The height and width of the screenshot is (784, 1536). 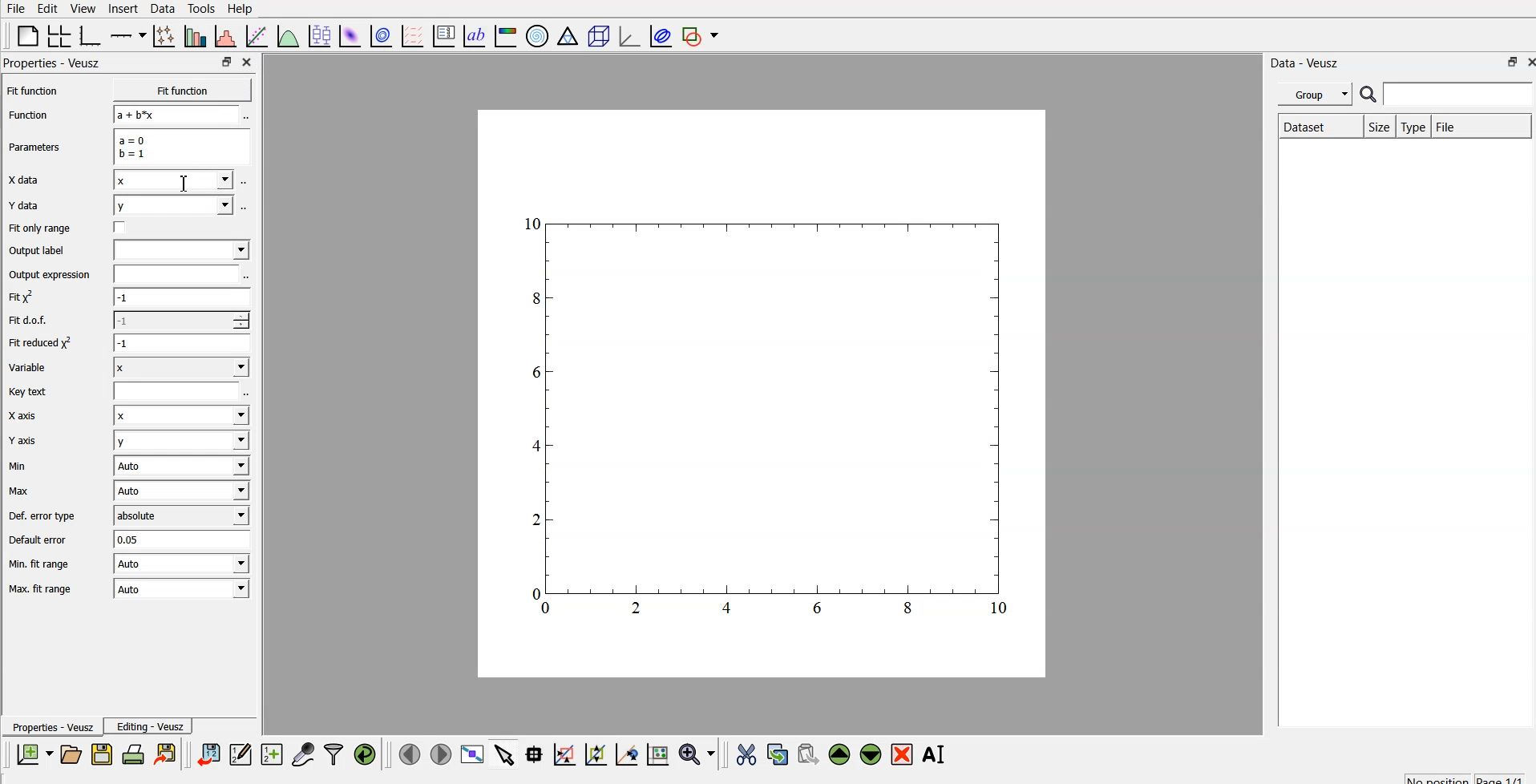 What do you see at coordinates (183, 440) in the screenshot?
I see `y` at bounding box center [183, 440].